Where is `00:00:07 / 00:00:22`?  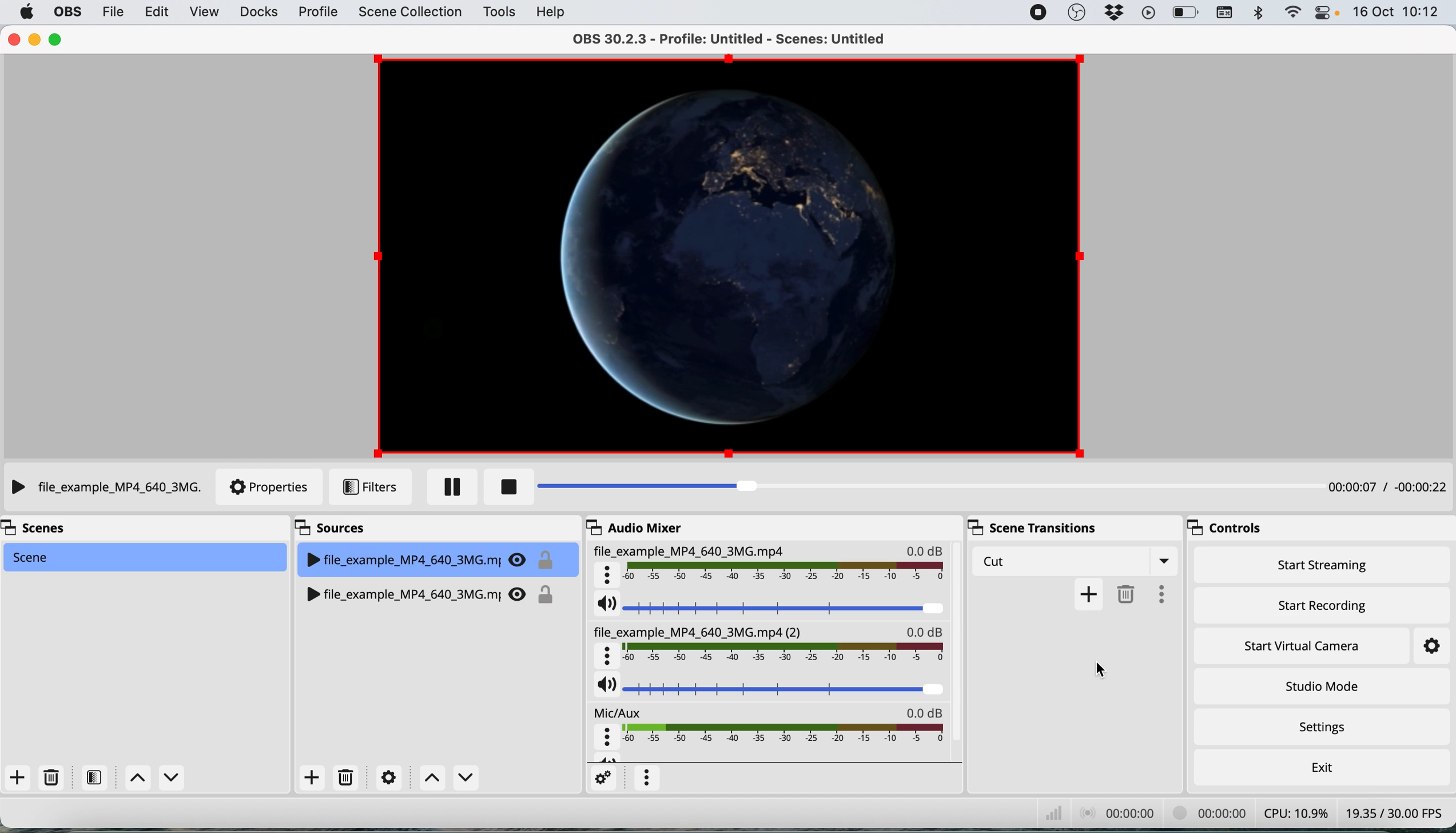
00:00:07 / 00:00:22 is located at coordinates (1388, 488).